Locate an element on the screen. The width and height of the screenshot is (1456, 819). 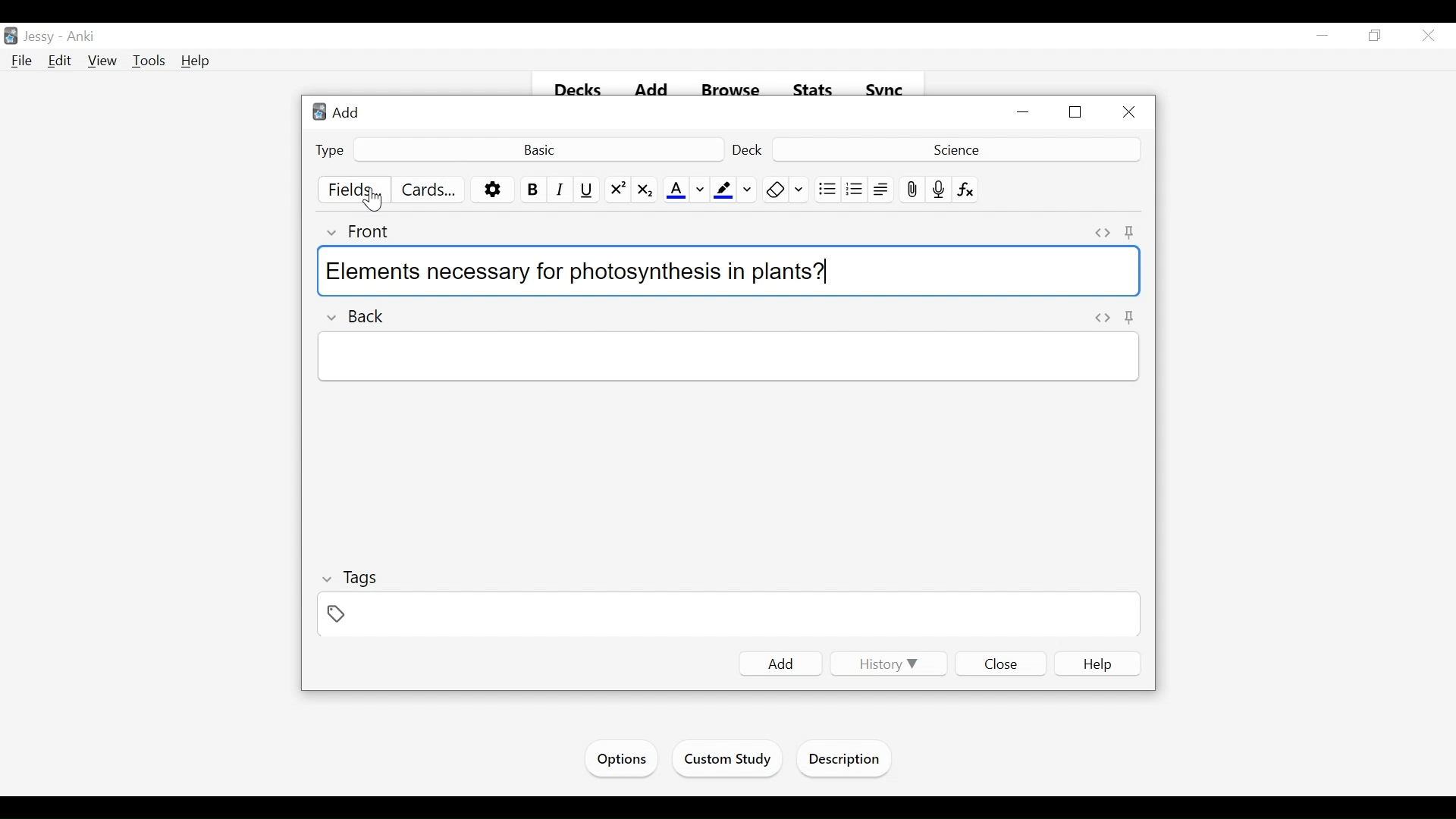
Decks is located at coordinates (579, 91).